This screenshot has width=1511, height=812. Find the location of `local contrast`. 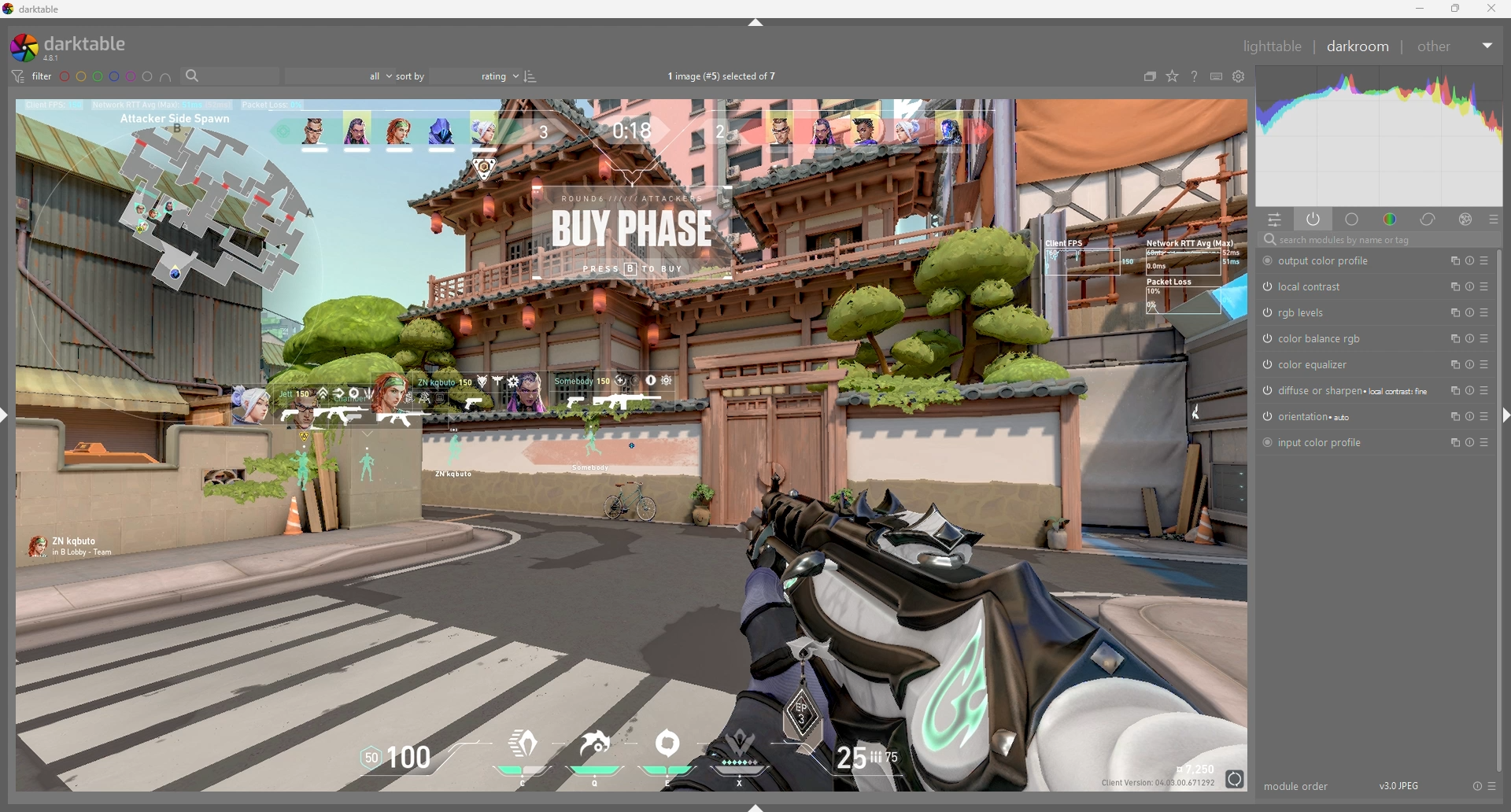

local contrast is located at coordinates (1308, 286).